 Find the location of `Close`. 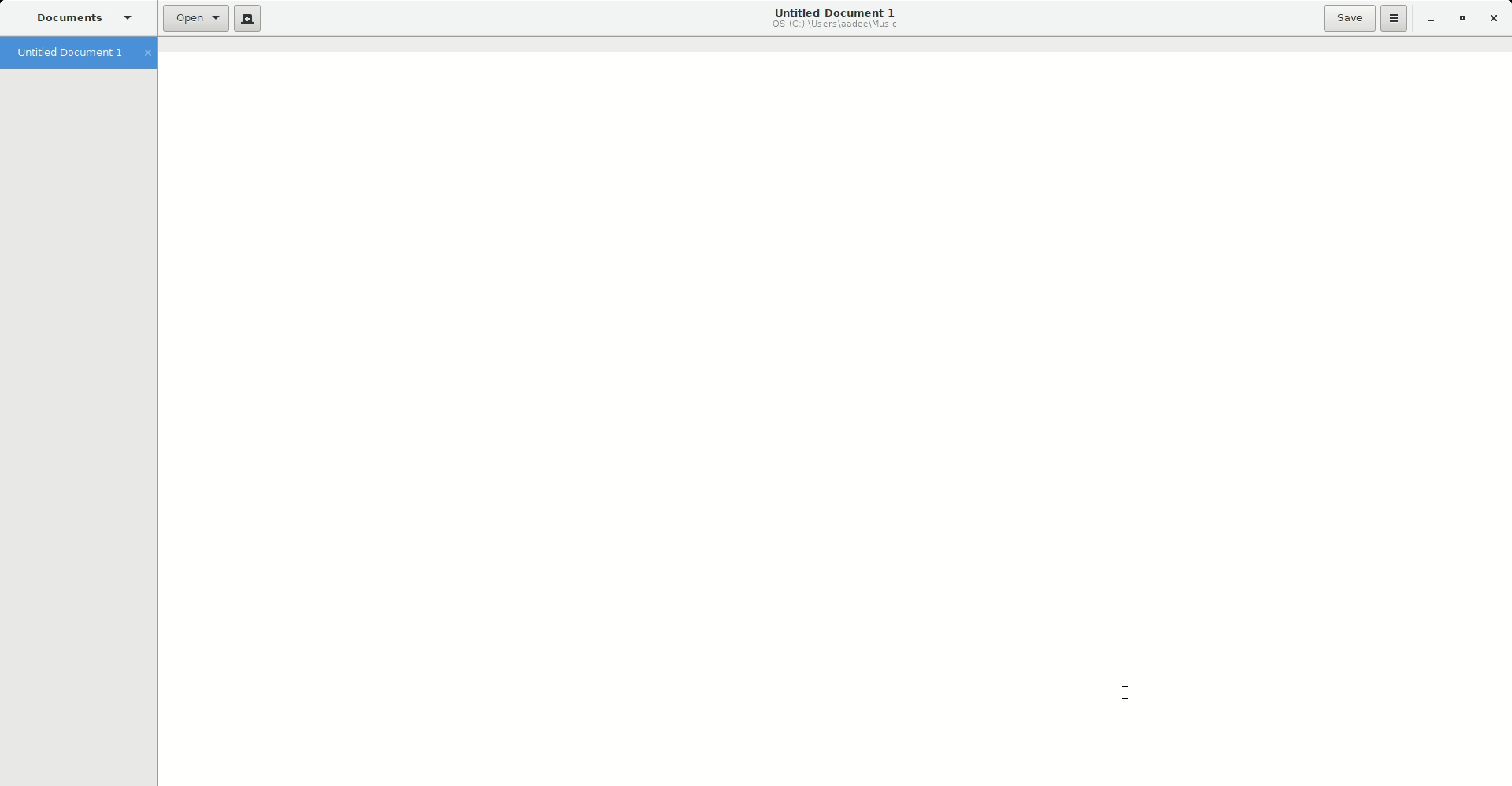

Close is located at coordinates (1494, 18).